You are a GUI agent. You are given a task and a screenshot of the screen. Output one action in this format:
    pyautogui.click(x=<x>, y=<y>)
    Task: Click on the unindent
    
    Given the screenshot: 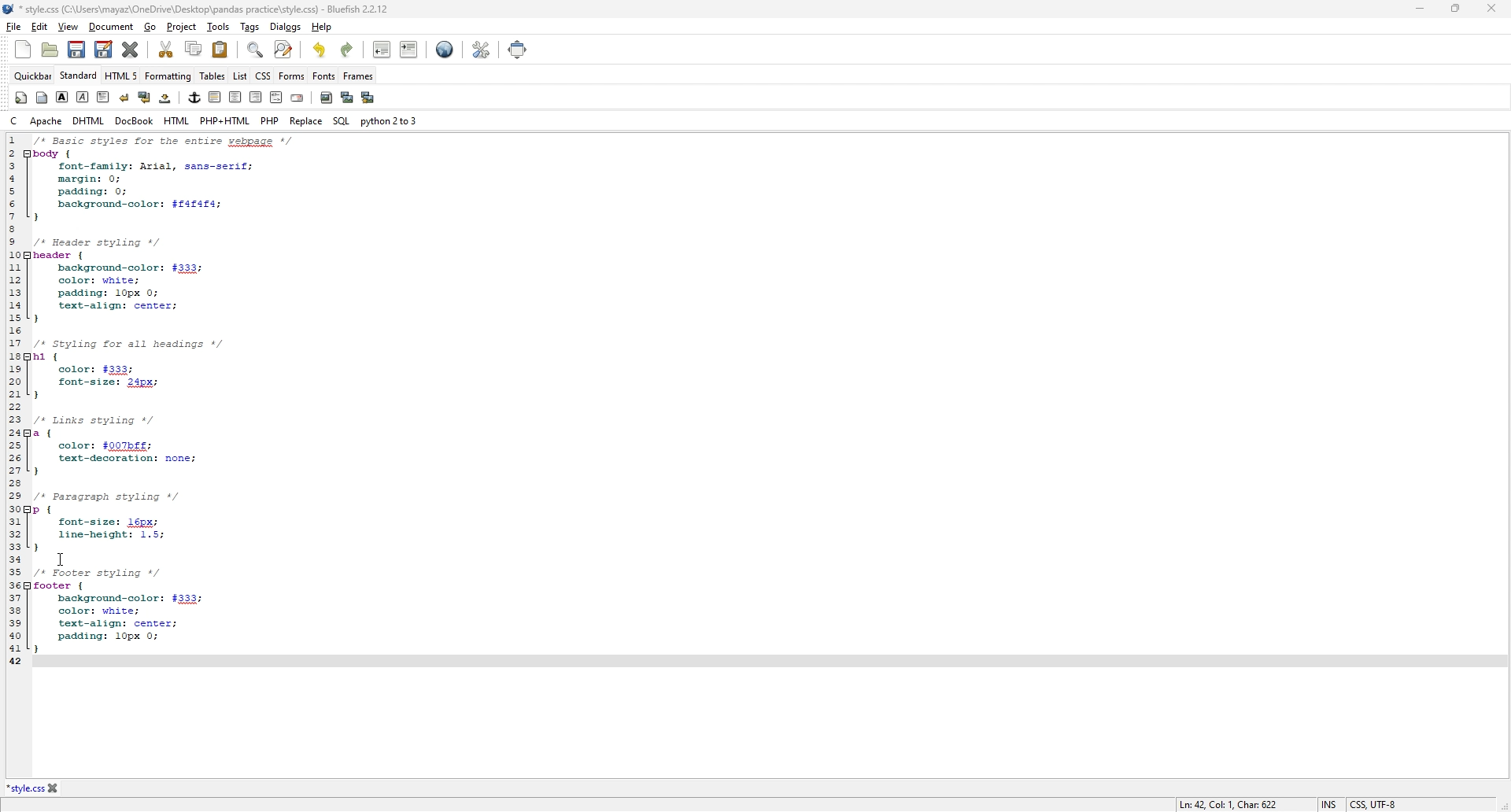 What is the action you would take?
    pyautogui.click(x=382, y=49)
    